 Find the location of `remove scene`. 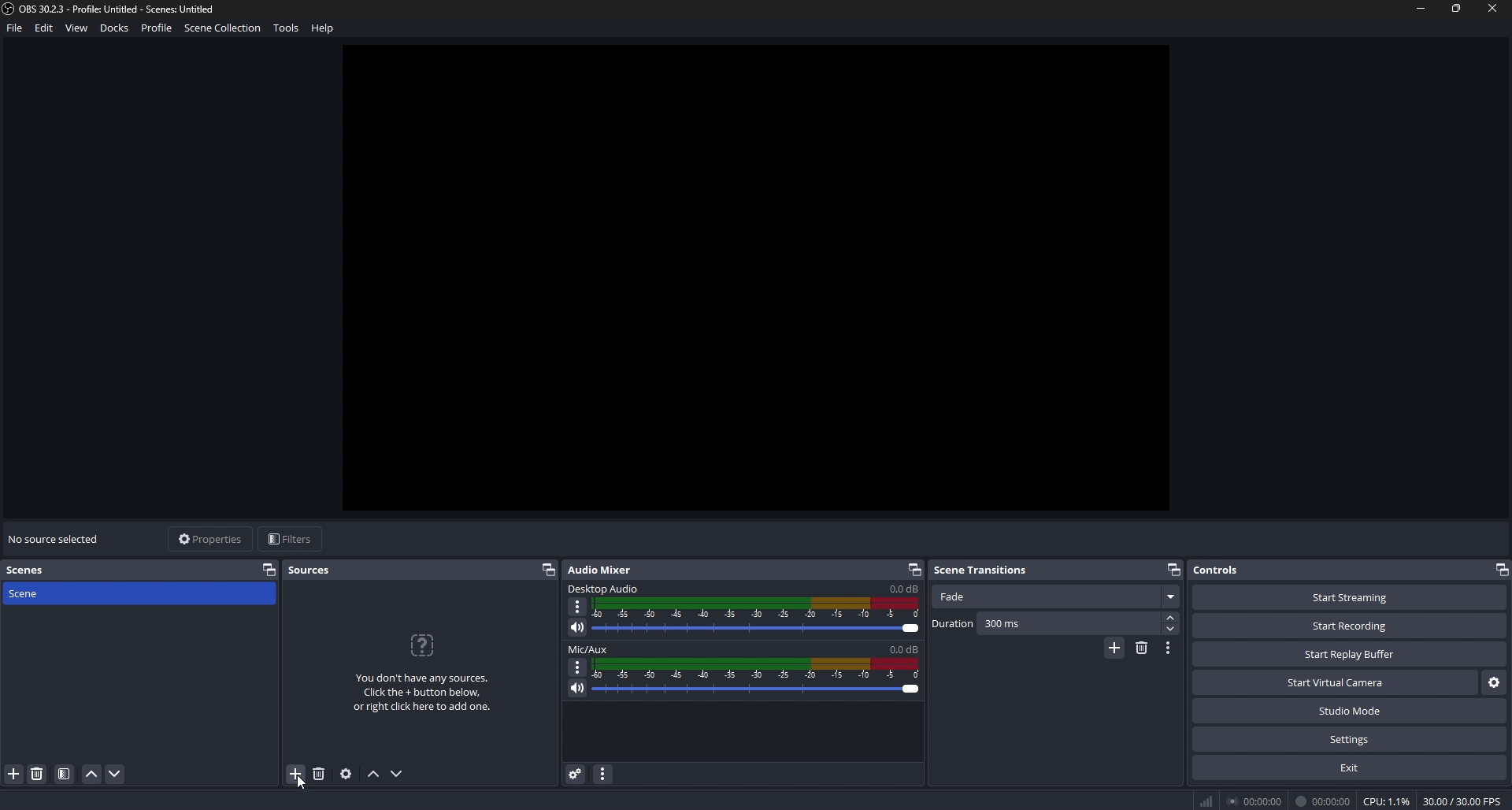

remove scene is located at coordinates (37, 774).